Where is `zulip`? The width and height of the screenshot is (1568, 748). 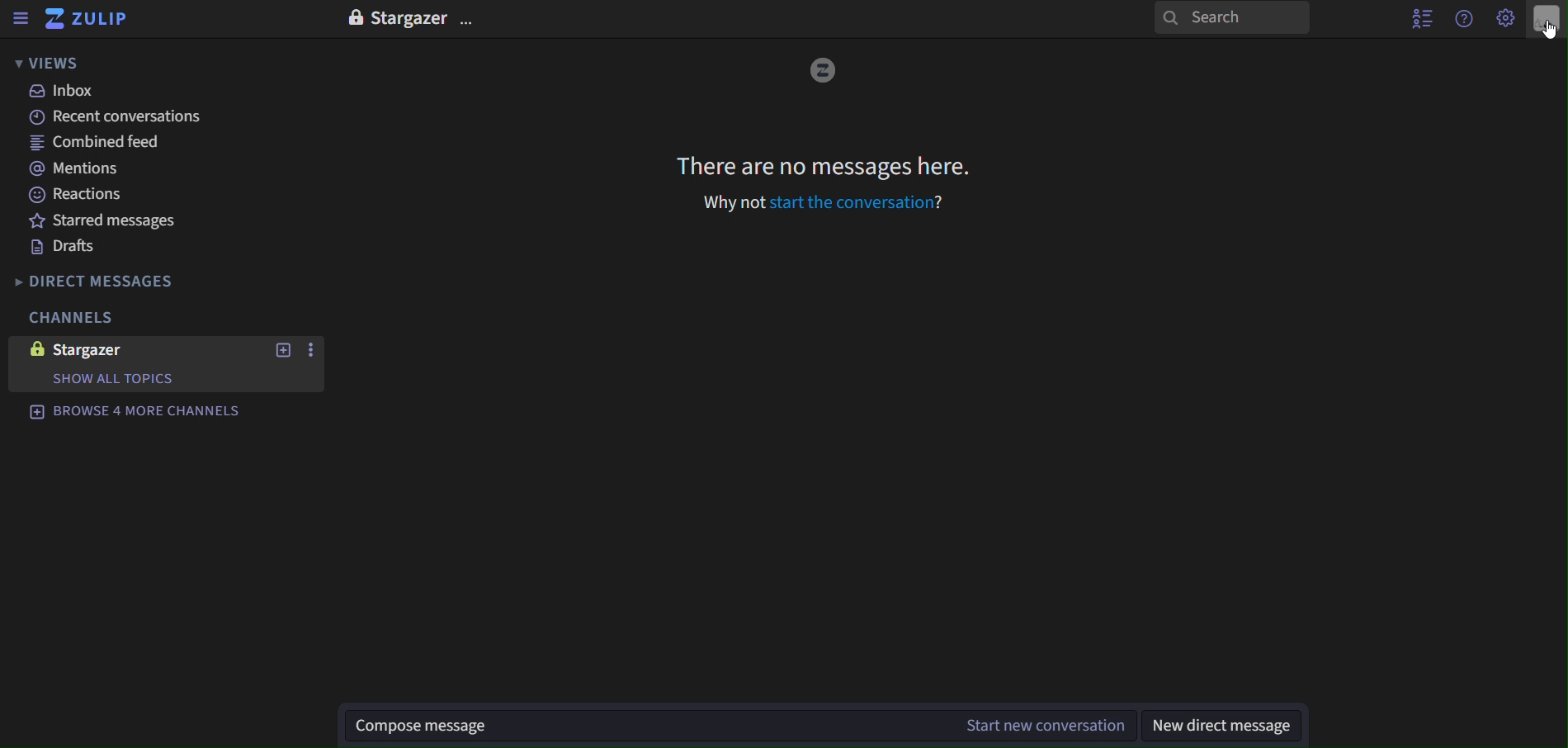
zulip is located at coordinates (96, 22).